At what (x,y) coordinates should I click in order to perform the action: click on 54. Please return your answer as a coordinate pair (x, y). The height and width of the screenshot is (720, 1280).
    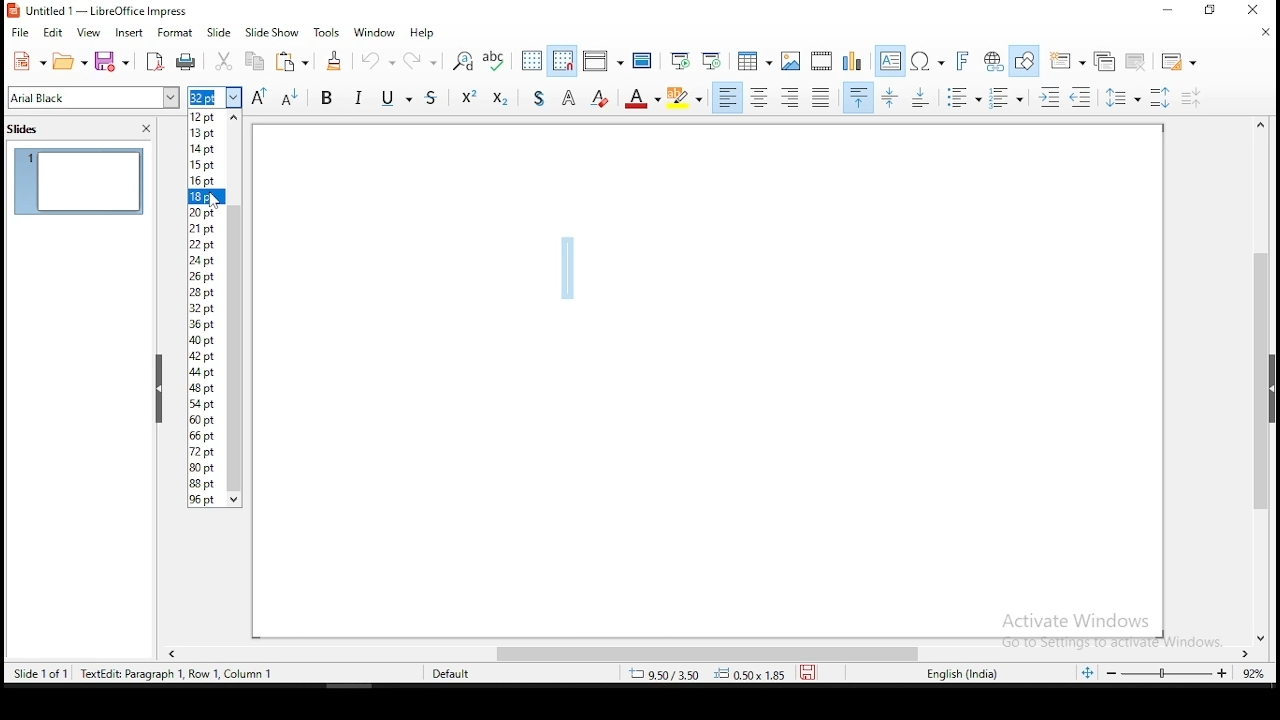
    Looking at the image, I should click on (207, 404).